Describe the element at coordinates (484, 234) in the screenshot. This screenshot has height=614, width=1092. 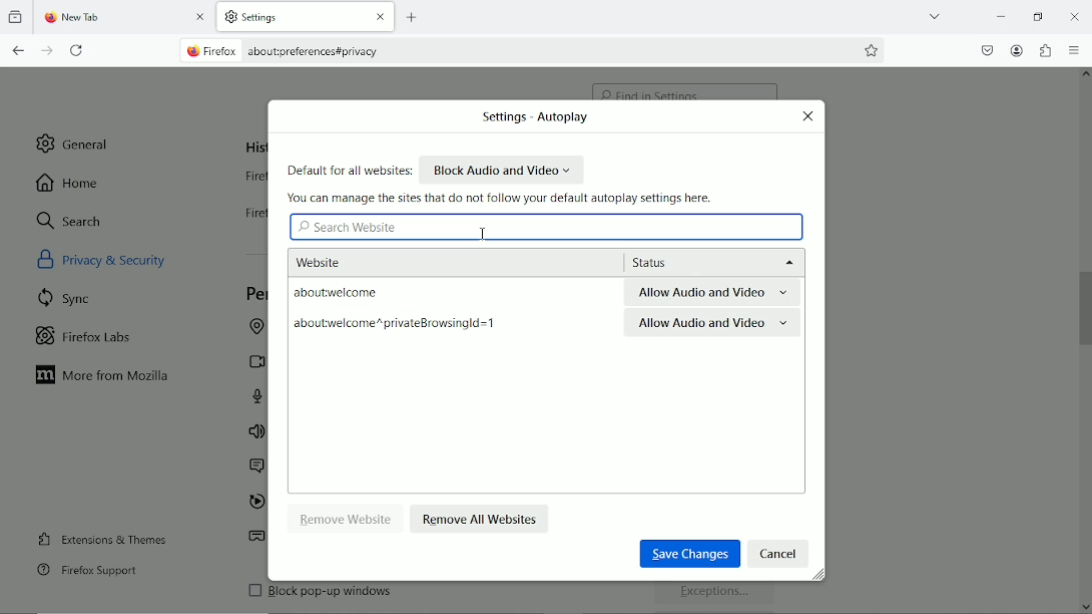
I see `cursor` at that location.